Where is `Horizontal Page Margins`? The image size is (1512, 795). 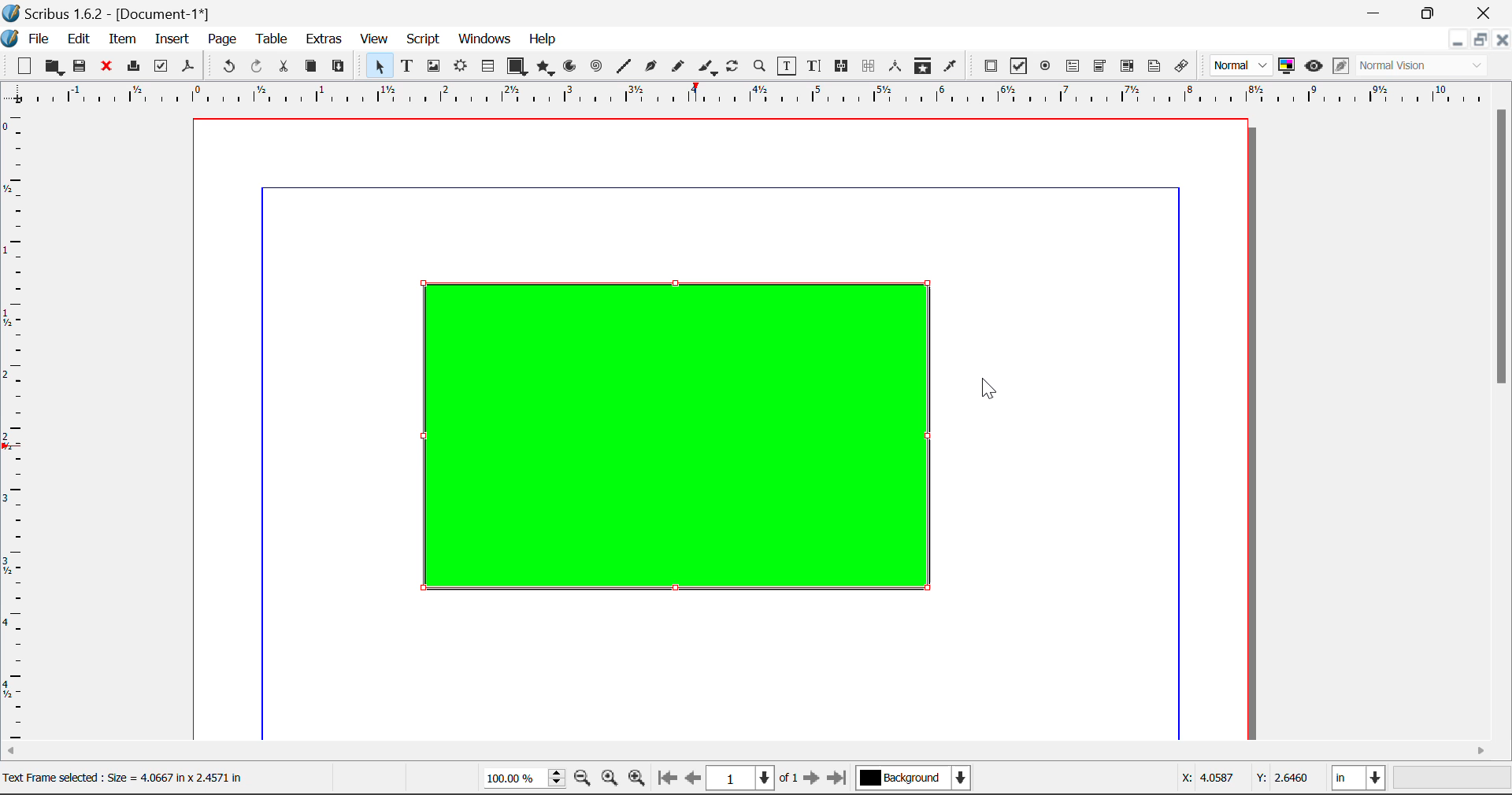 Horizontal Page Margins is located at coordinates (17, 427).